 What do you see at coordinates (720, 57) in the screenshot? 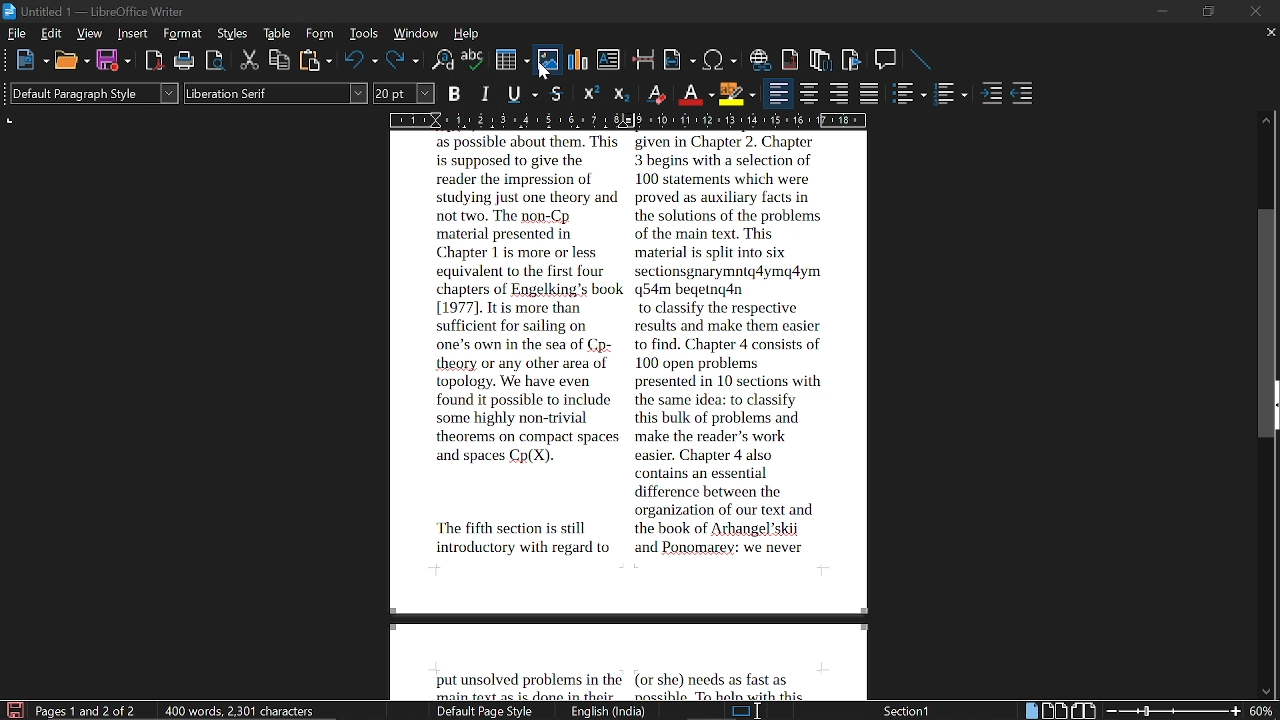
I see `insert special character` at bounding box center [720, 57].